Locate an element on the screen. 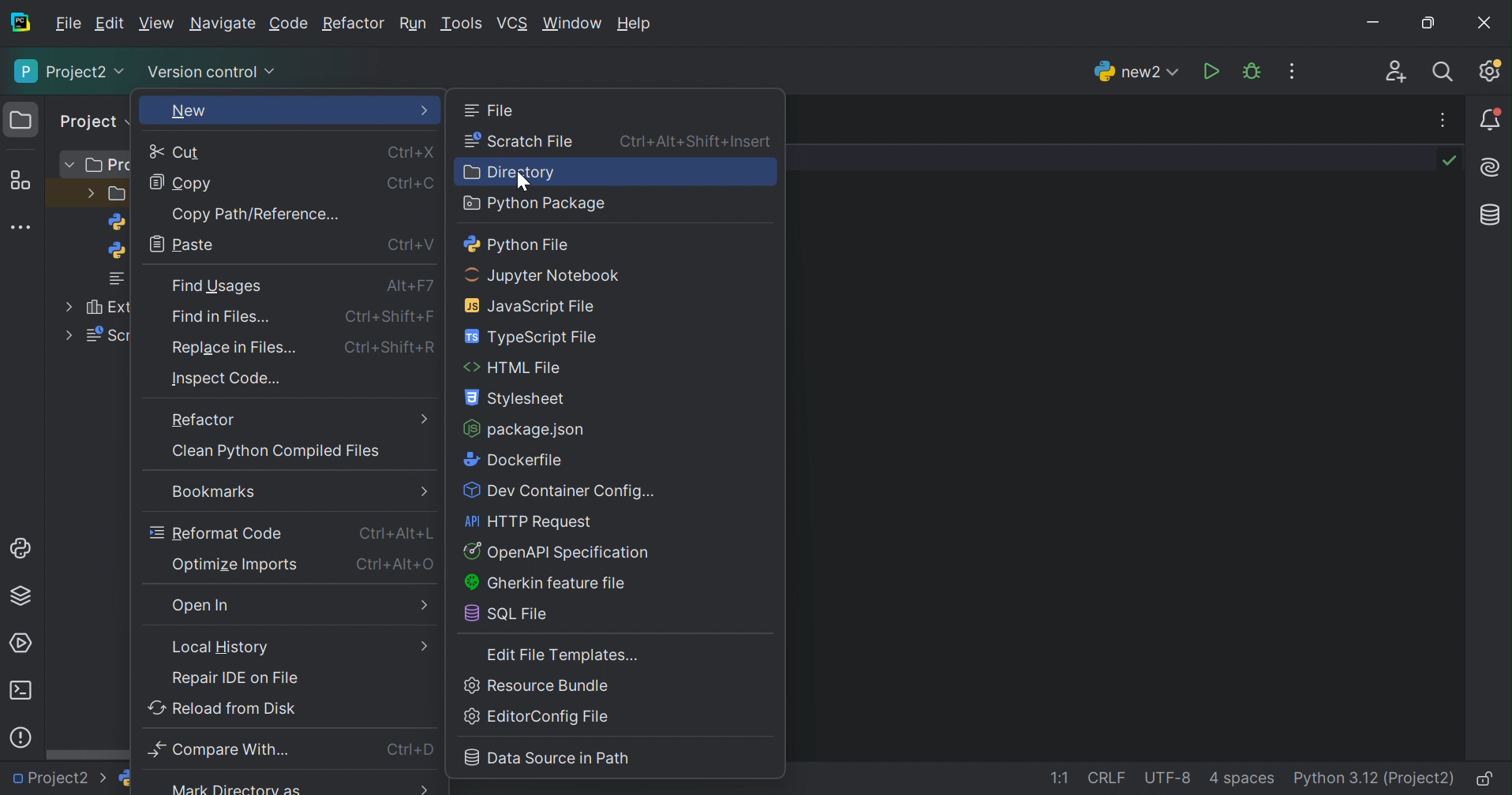 Image resolution: width=1512 pixels, height=795 pixels. Edit File Templates... is located at coordinates (564, 655).